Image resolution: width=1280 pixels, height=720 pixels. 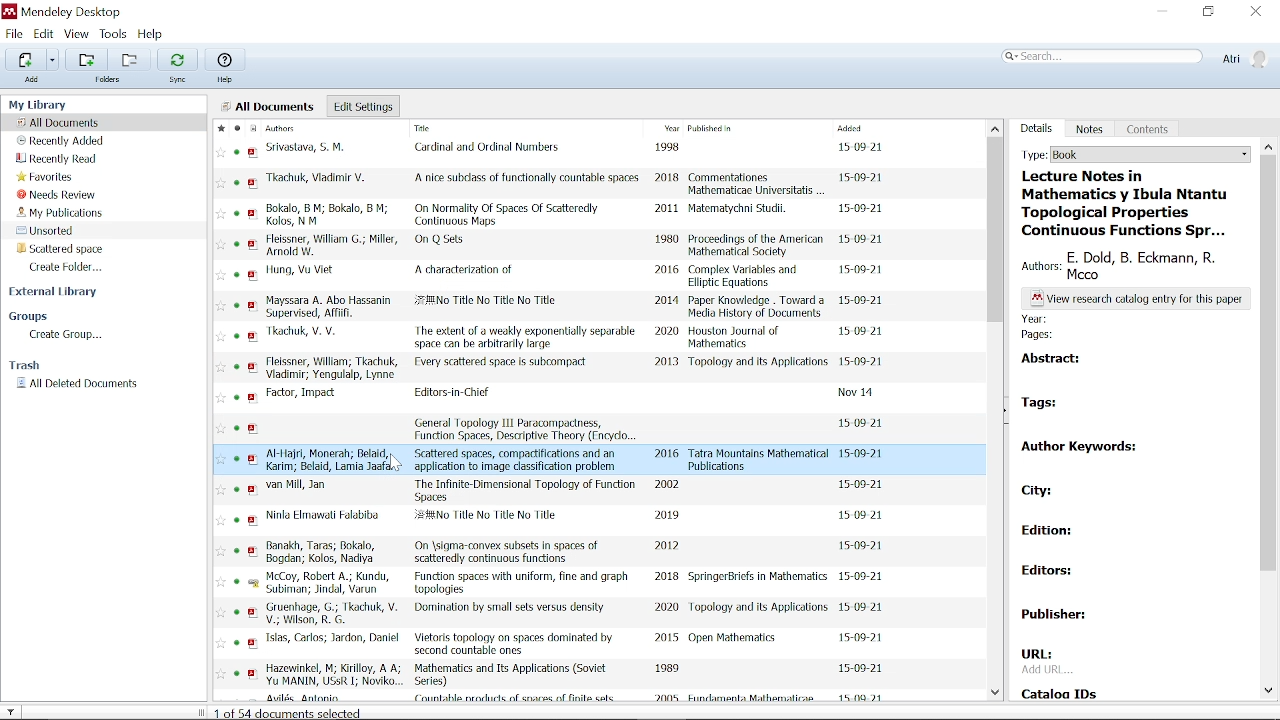 What do you see at coordinates (78, 384) in the screenshot?
I see `All deleted documents` at bounding box center [78, 384].